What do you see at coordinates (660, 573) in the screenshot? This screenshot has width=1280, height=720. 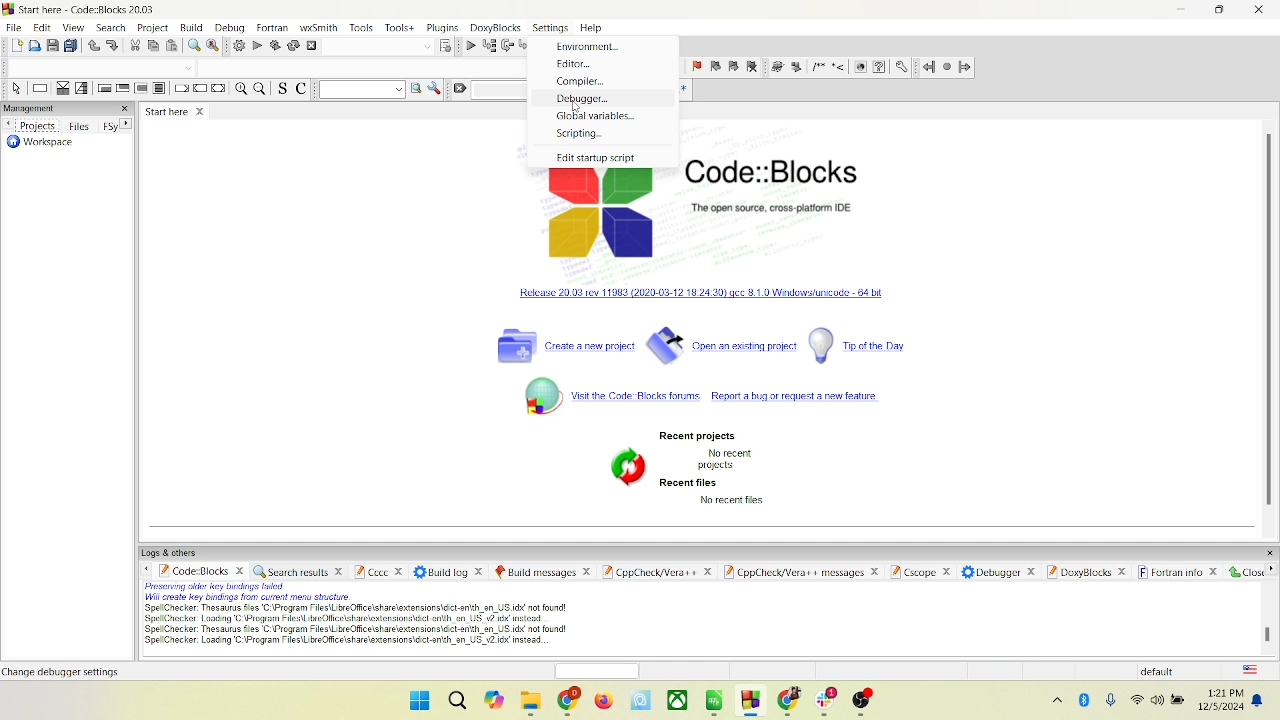 I see `cppcheck/Vera++` at bounding box center [660, 573].